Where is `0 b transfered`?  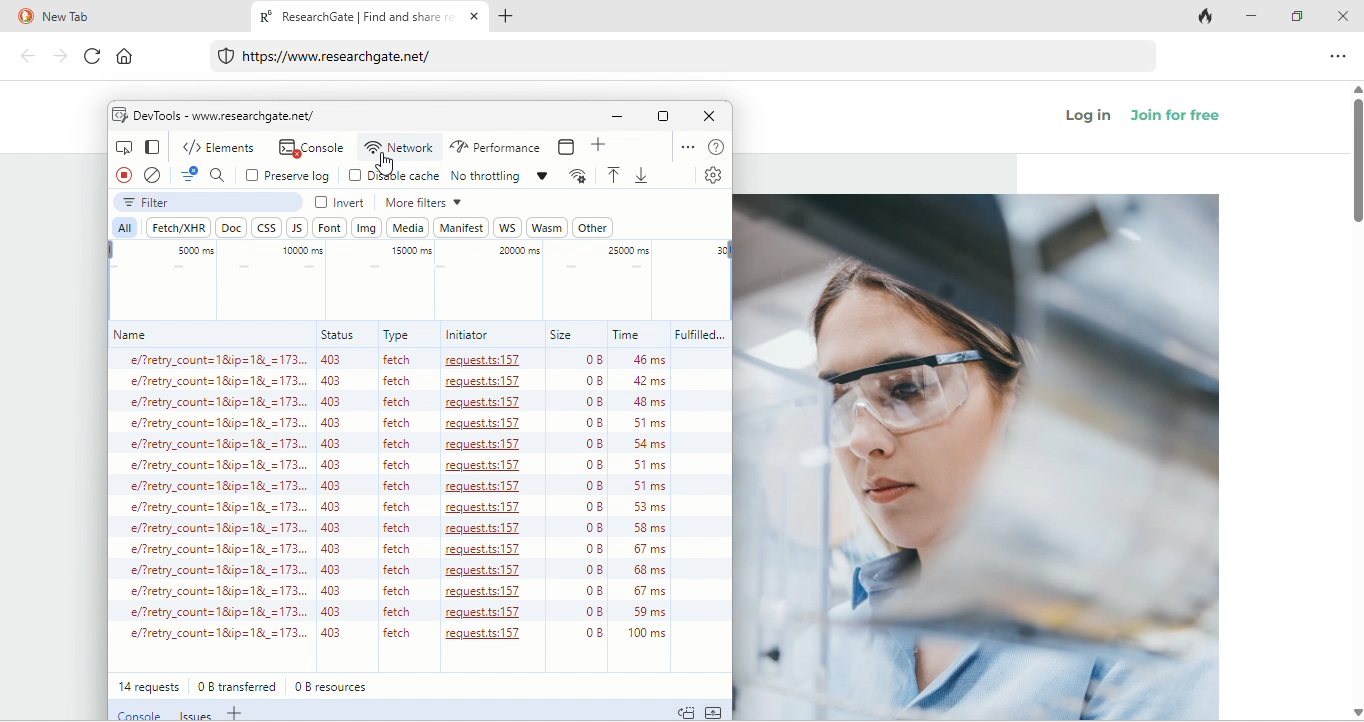 0 b transfered is located at coordinates (240, 685).